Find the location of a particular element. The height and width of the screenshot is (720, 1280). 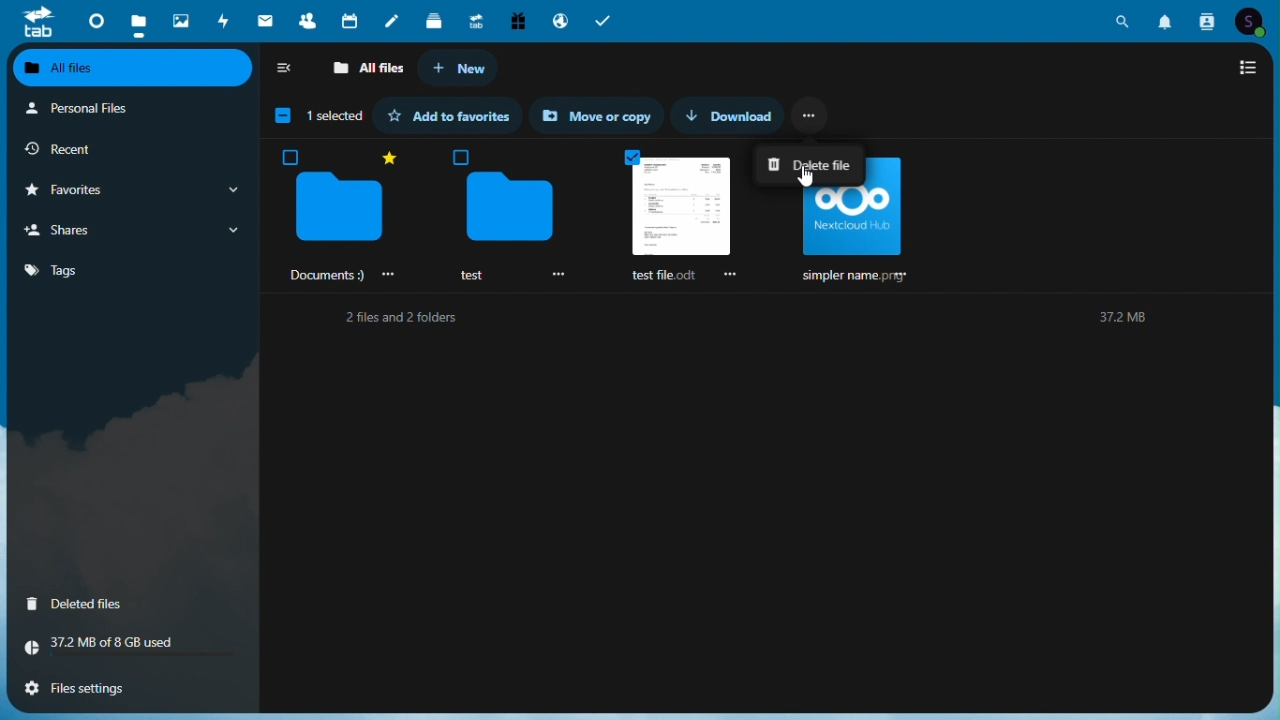

account icon is located at coordinates (1247, 18).